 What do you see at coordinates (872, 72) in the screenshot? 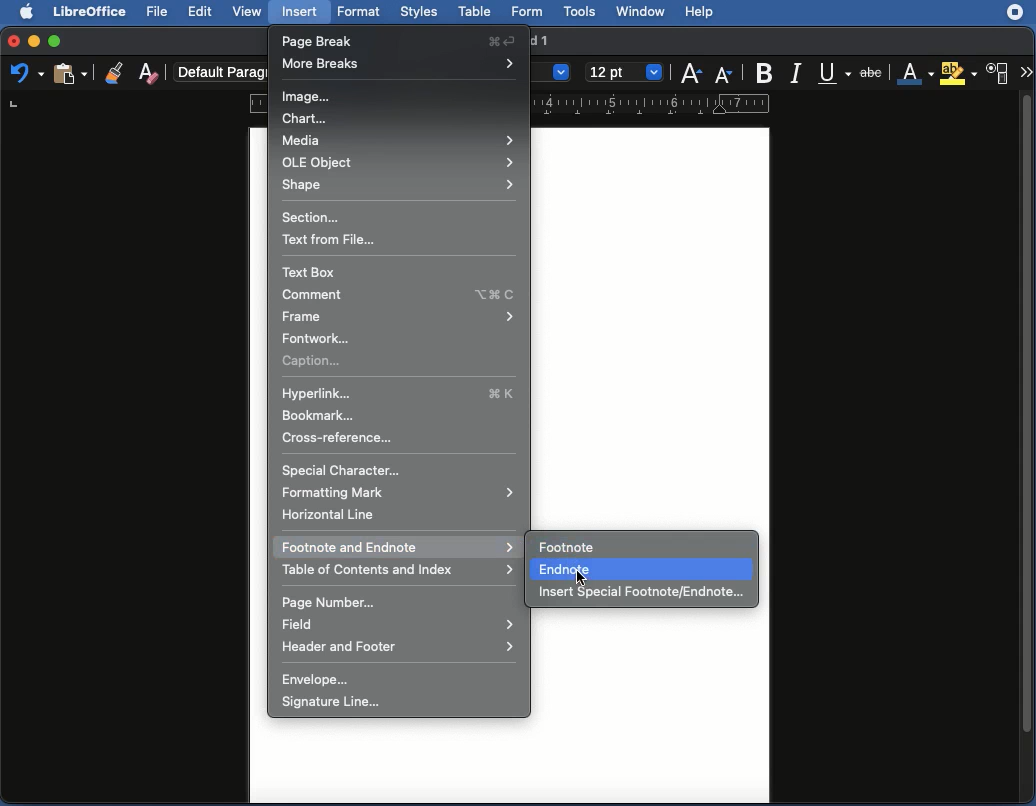
I see `Strikethrough` at bounding box center [872, 72].